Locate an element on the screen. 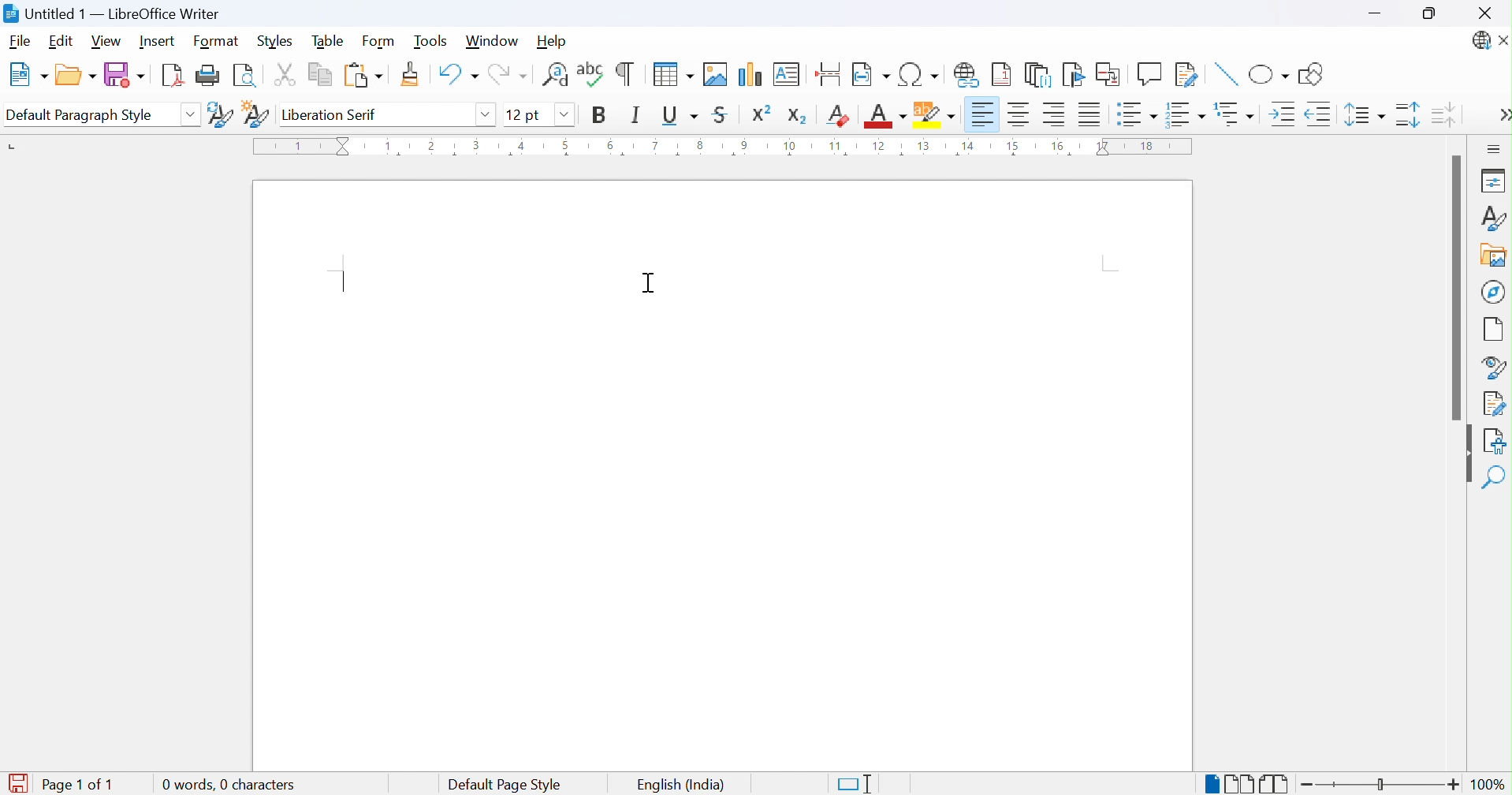  Help is located at coordinates (554, 42).